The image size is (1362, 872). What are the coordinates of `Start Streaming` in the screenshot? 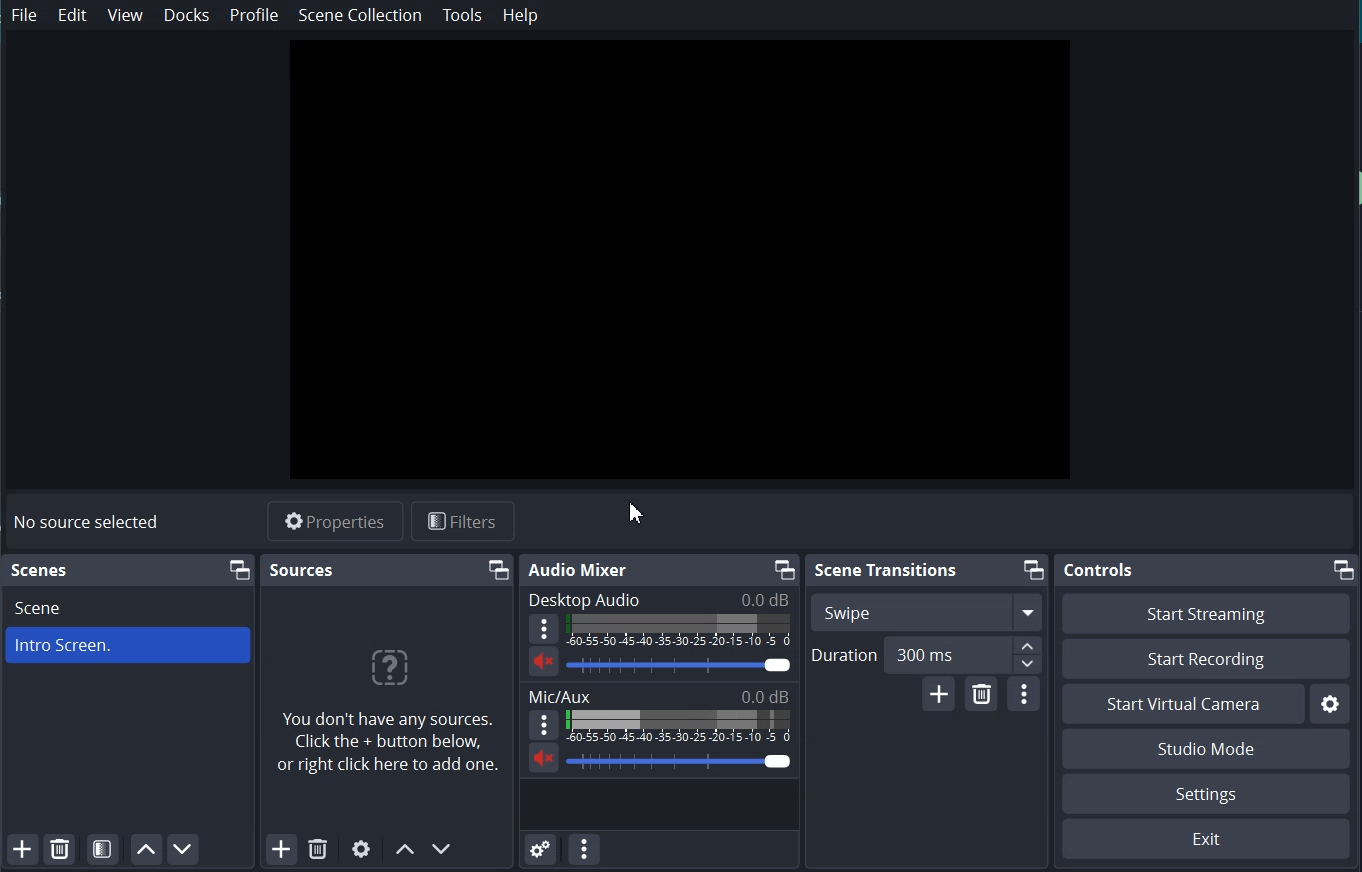 It's located at (1206, 613).